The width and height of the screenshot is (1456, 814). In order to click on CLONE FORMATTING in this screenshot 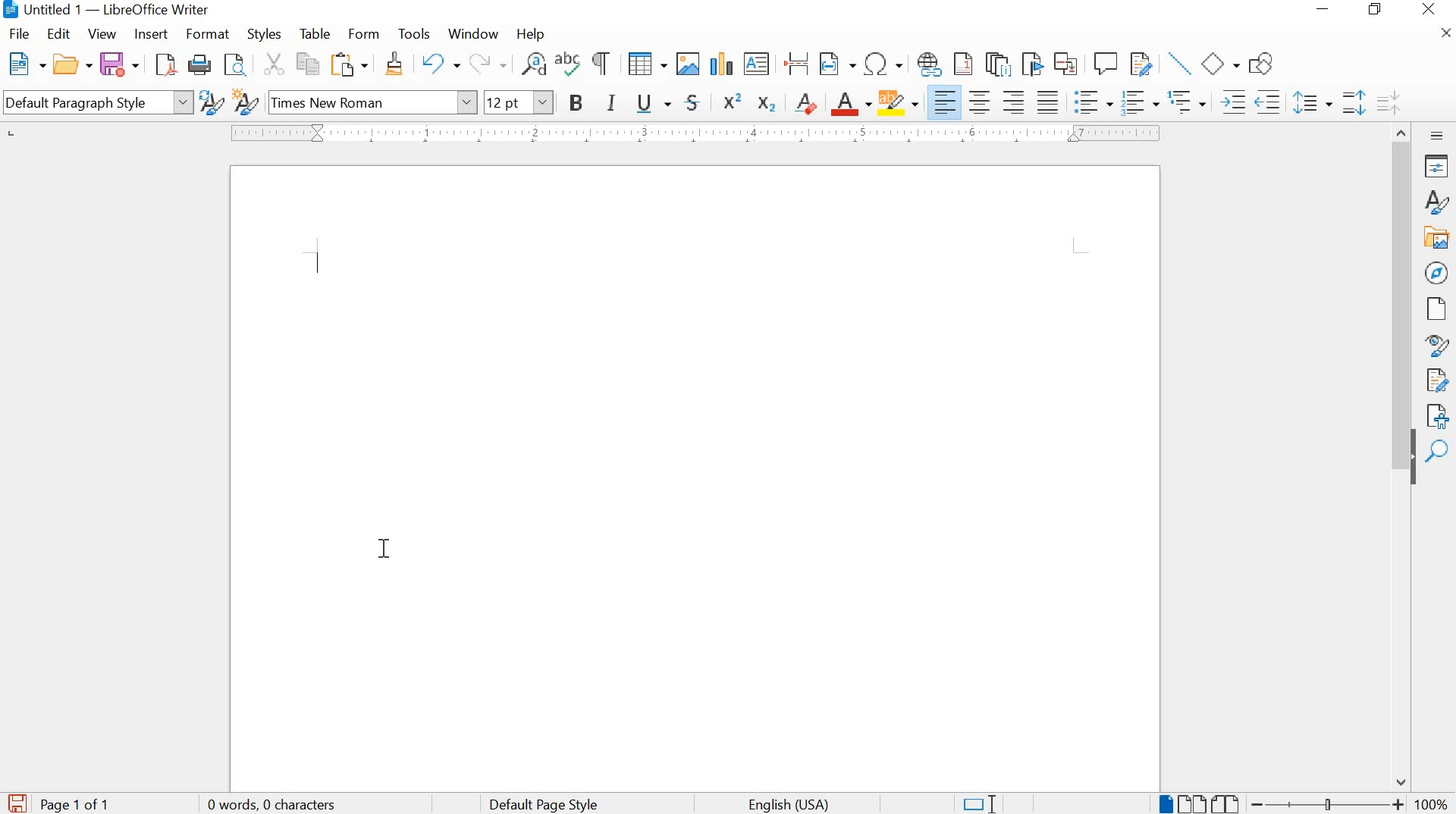, I will do `click(392, 64)`.